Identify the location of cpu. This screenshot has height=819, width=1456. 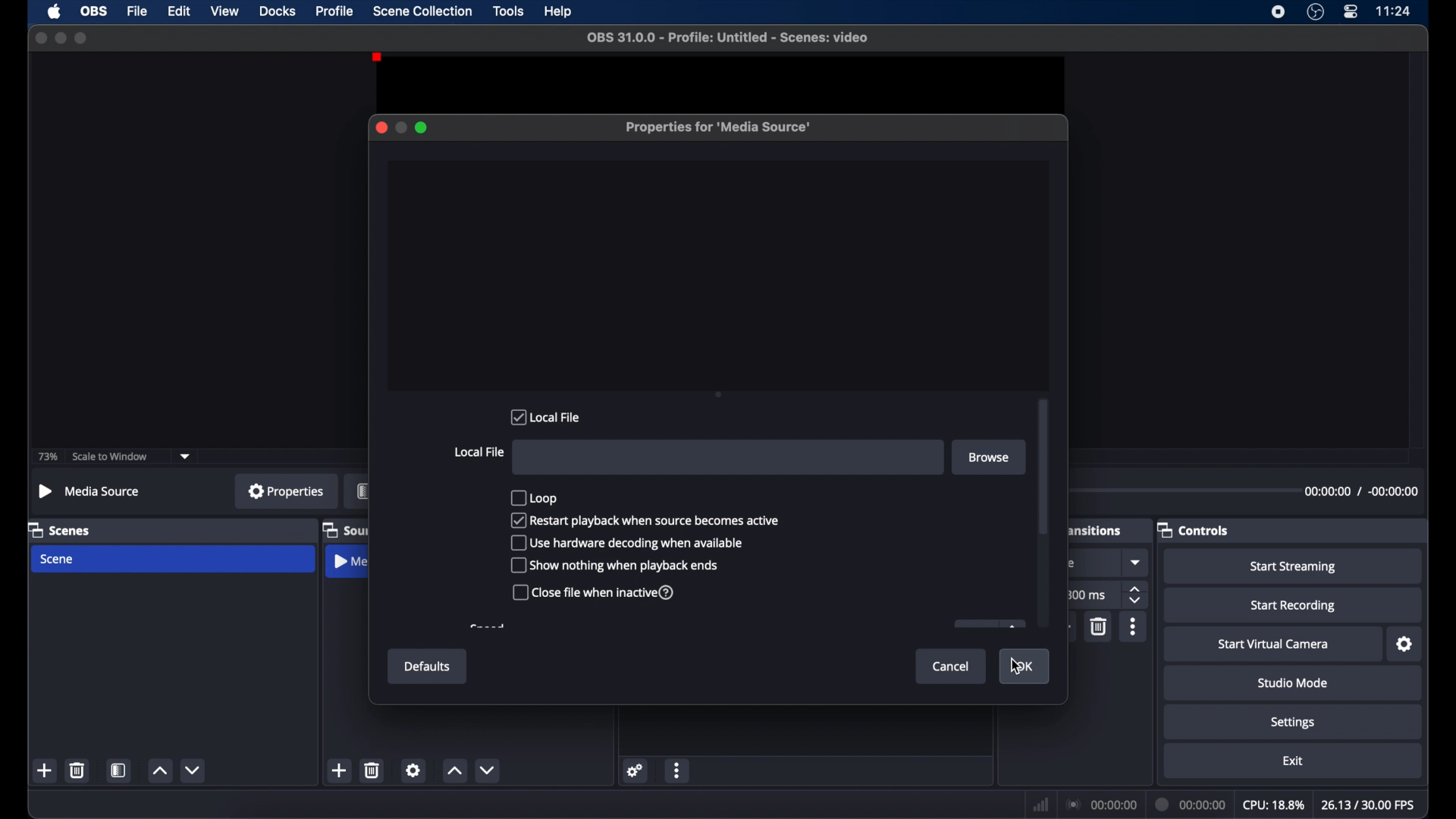
(1272, 805).